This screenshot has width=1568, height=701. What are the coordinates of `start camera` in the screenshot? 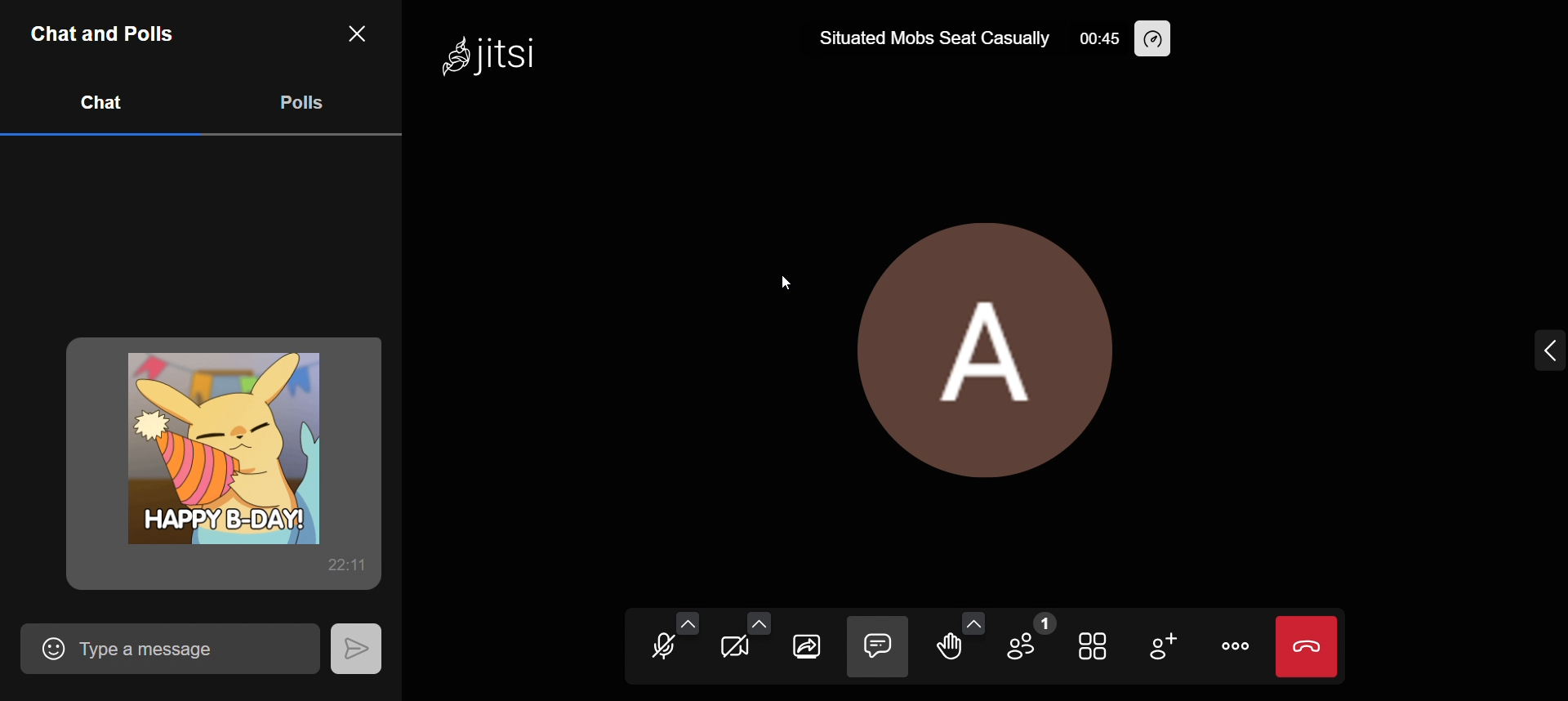 It's located at (738, 653).